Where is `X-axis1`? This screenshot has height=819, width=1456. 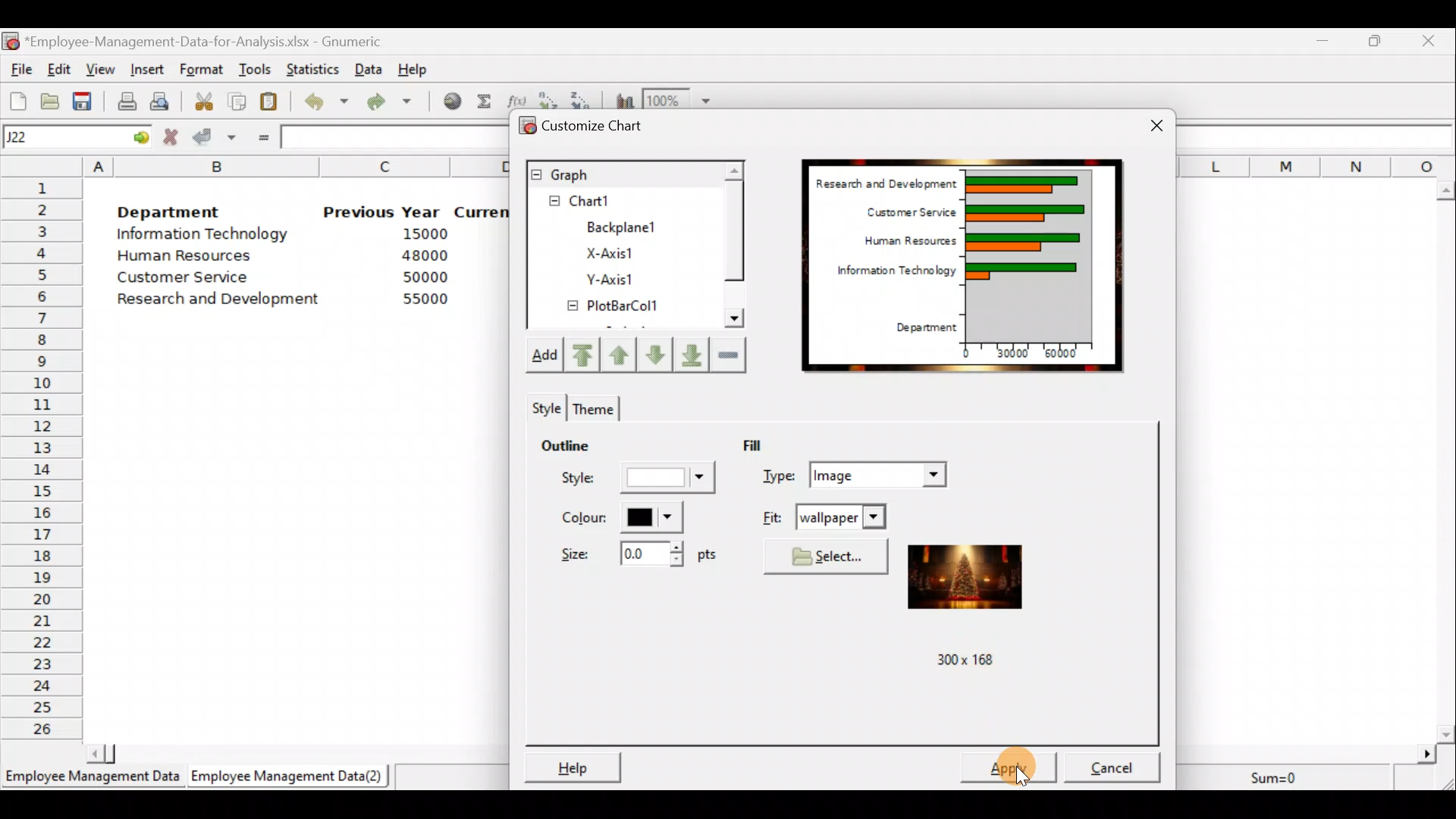
X-axis1 is located at coordinates (620, 251).